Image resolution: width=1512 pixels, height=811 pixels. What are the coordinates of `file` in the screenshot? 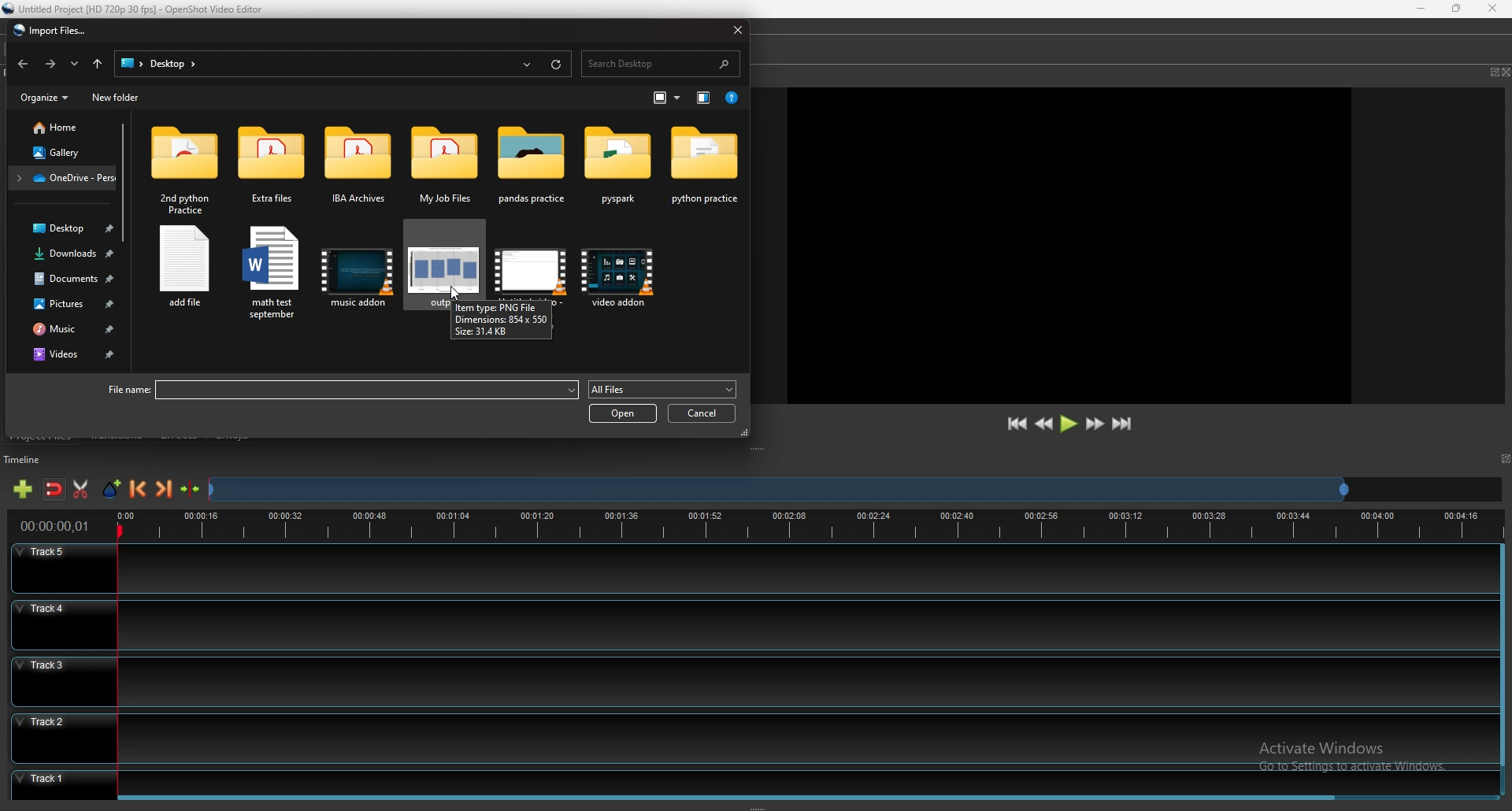 It's located at (530, 262).